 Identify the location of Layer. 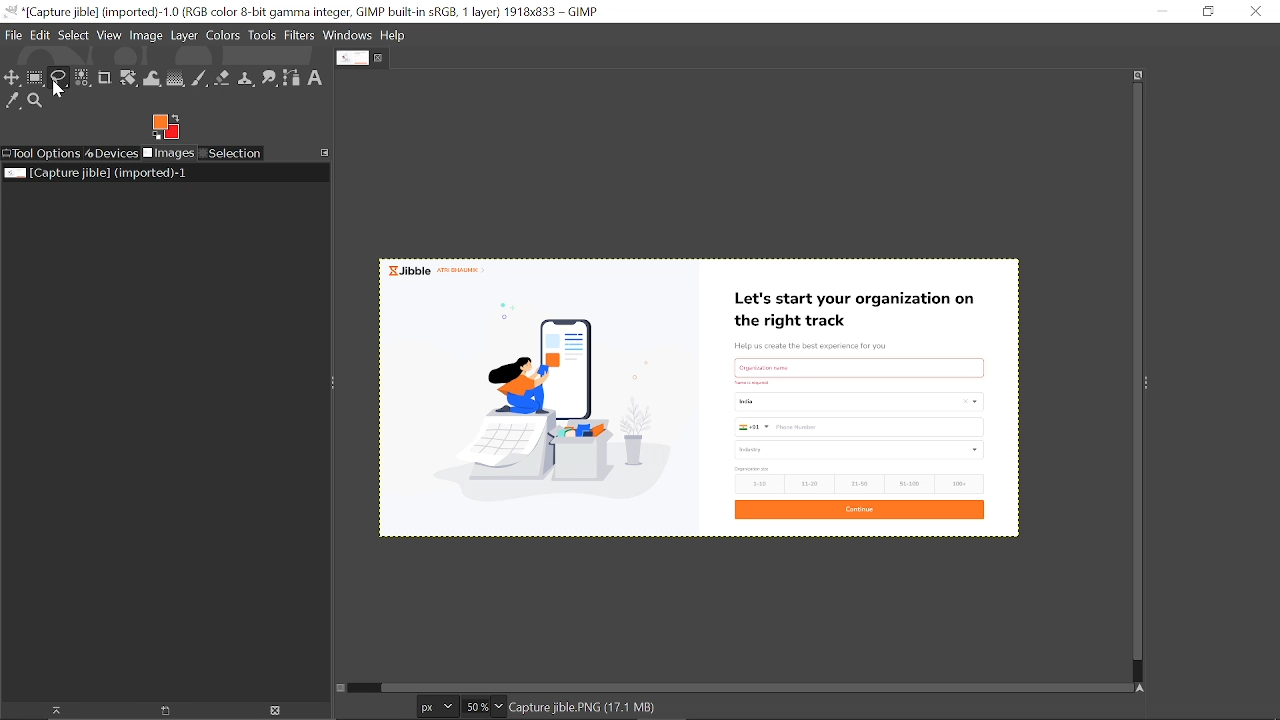
(184, 37).